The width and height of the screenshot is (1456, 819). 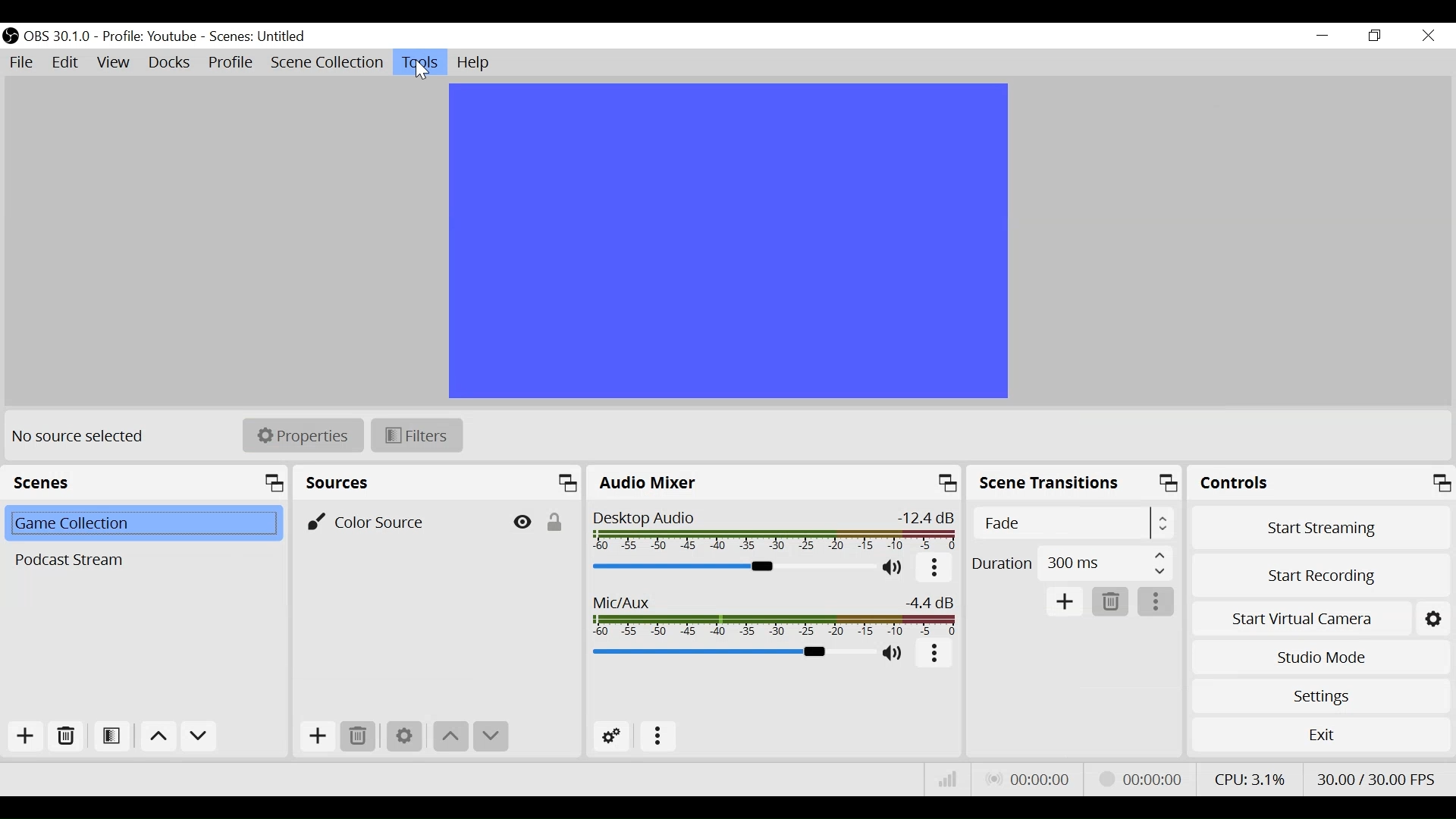 What do you see at coordinates (113, 63) in the screenshot?
I see `View` at bounding box center [113, 63].